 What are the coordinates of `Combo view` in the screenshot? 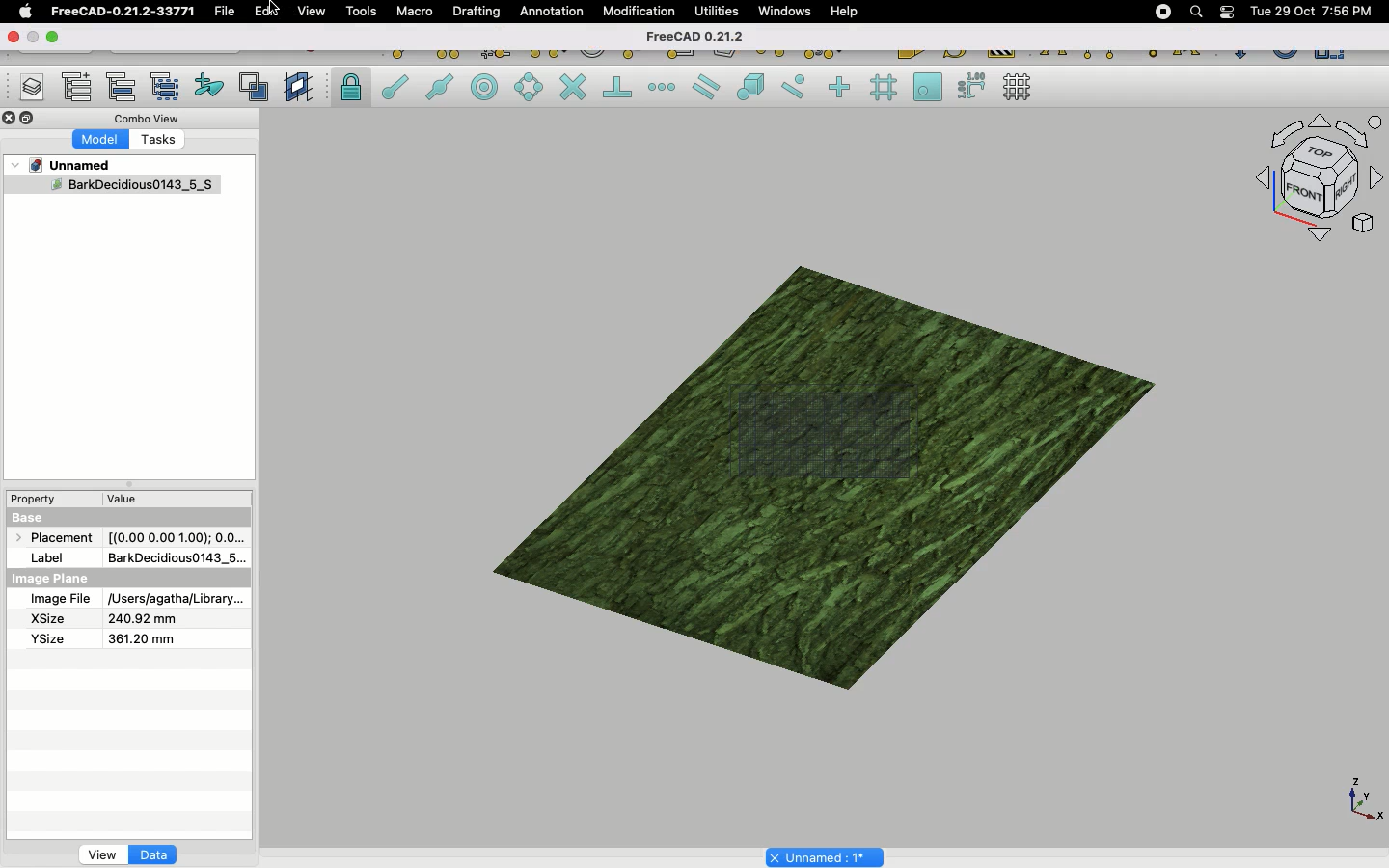 It's located at (149, 118).